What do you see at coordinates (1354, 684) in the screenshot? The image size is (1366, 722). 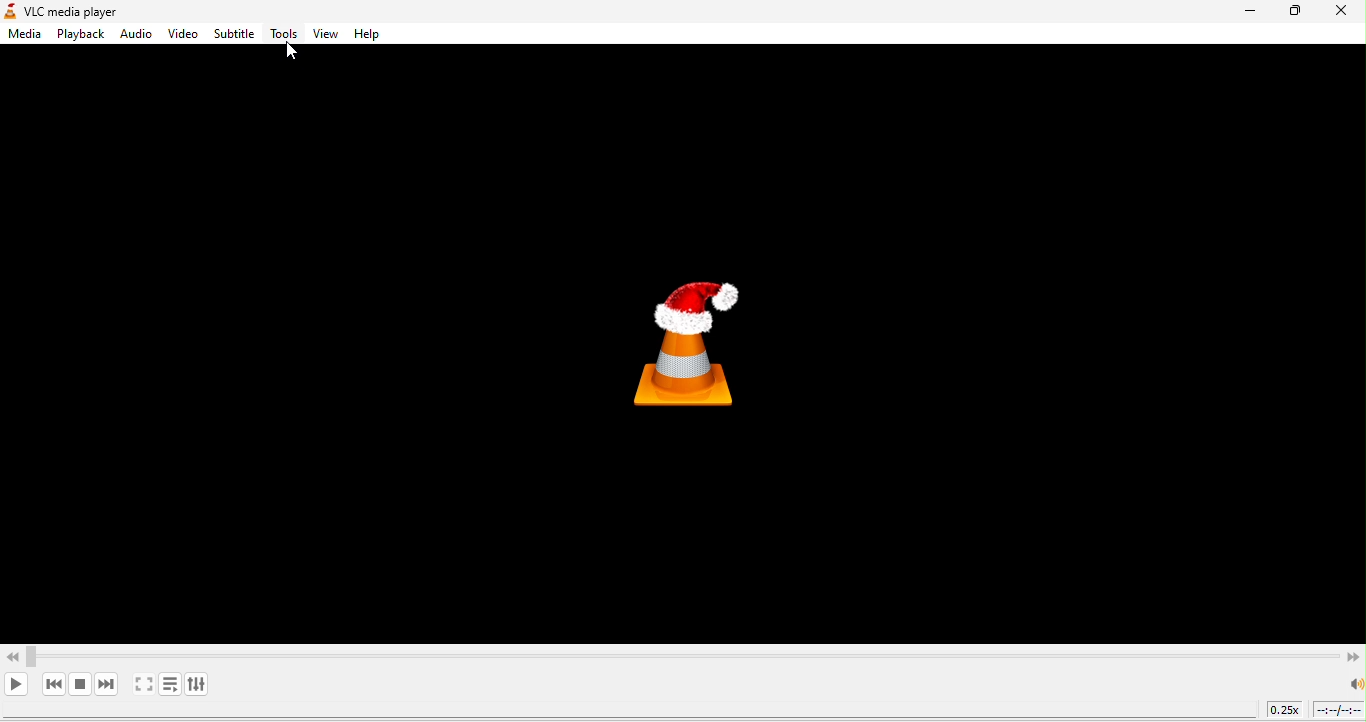 I see `speaker` at bounding box center [1354, 684].